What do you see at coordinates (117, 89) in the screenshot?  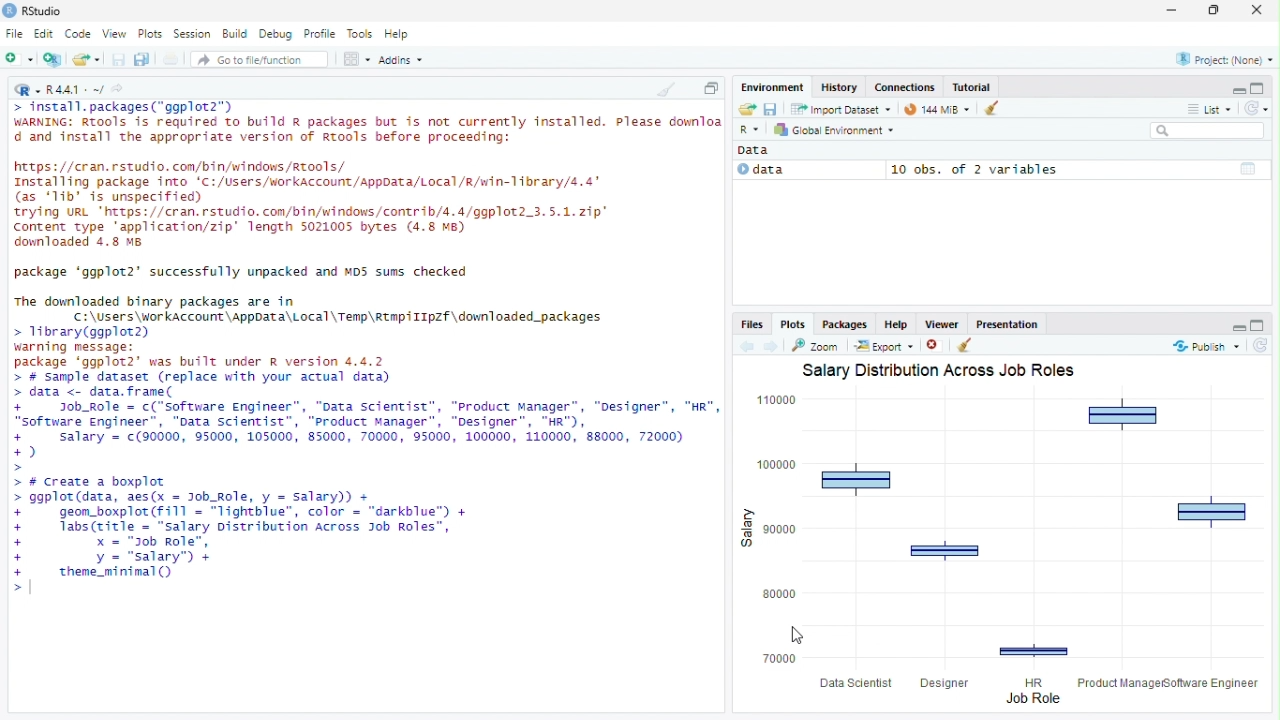 I see `View the current working directory` at bounding box center [117, 89].